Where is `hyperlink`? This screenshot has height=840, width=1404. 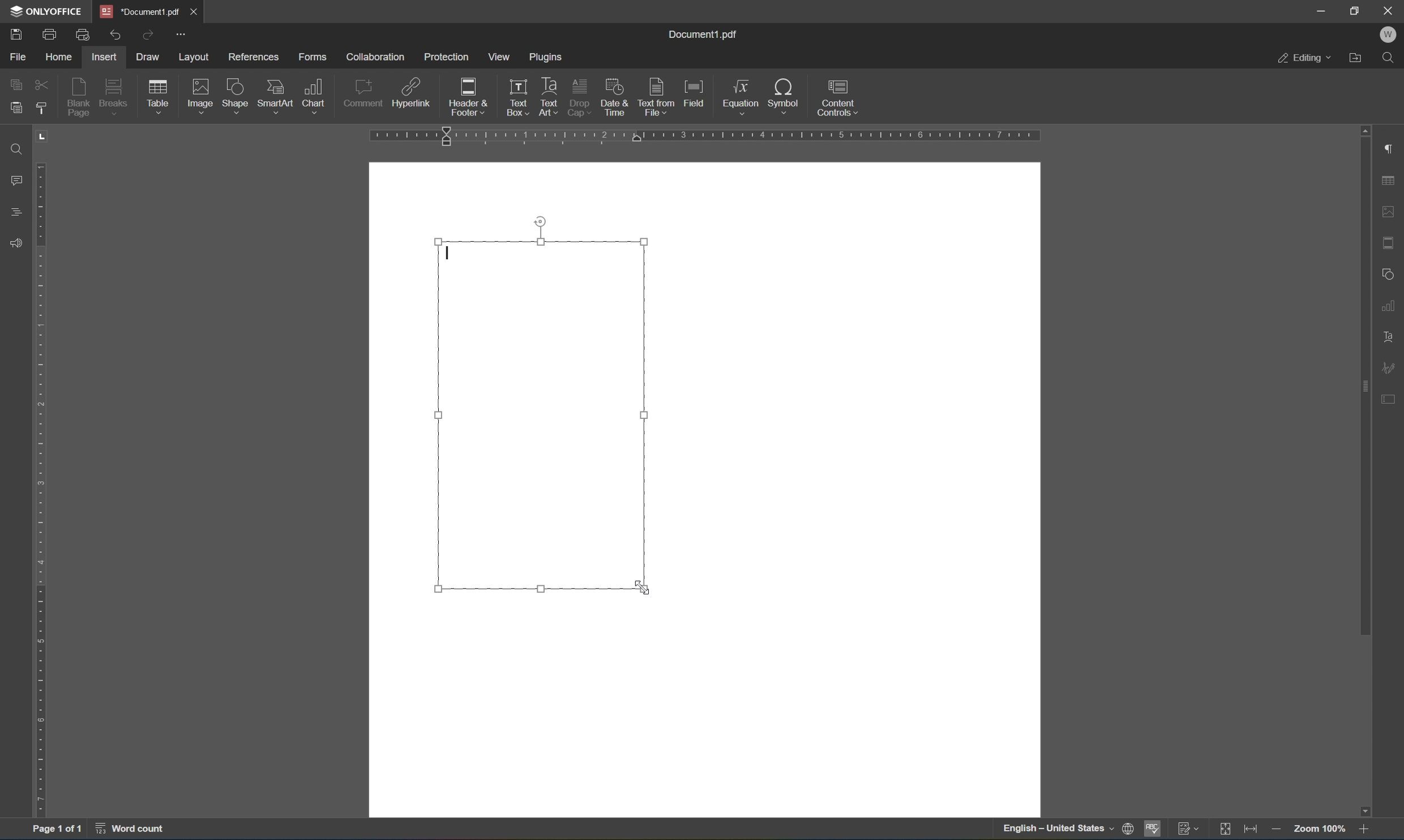
hyperlink is located at coordinates (412, 95).